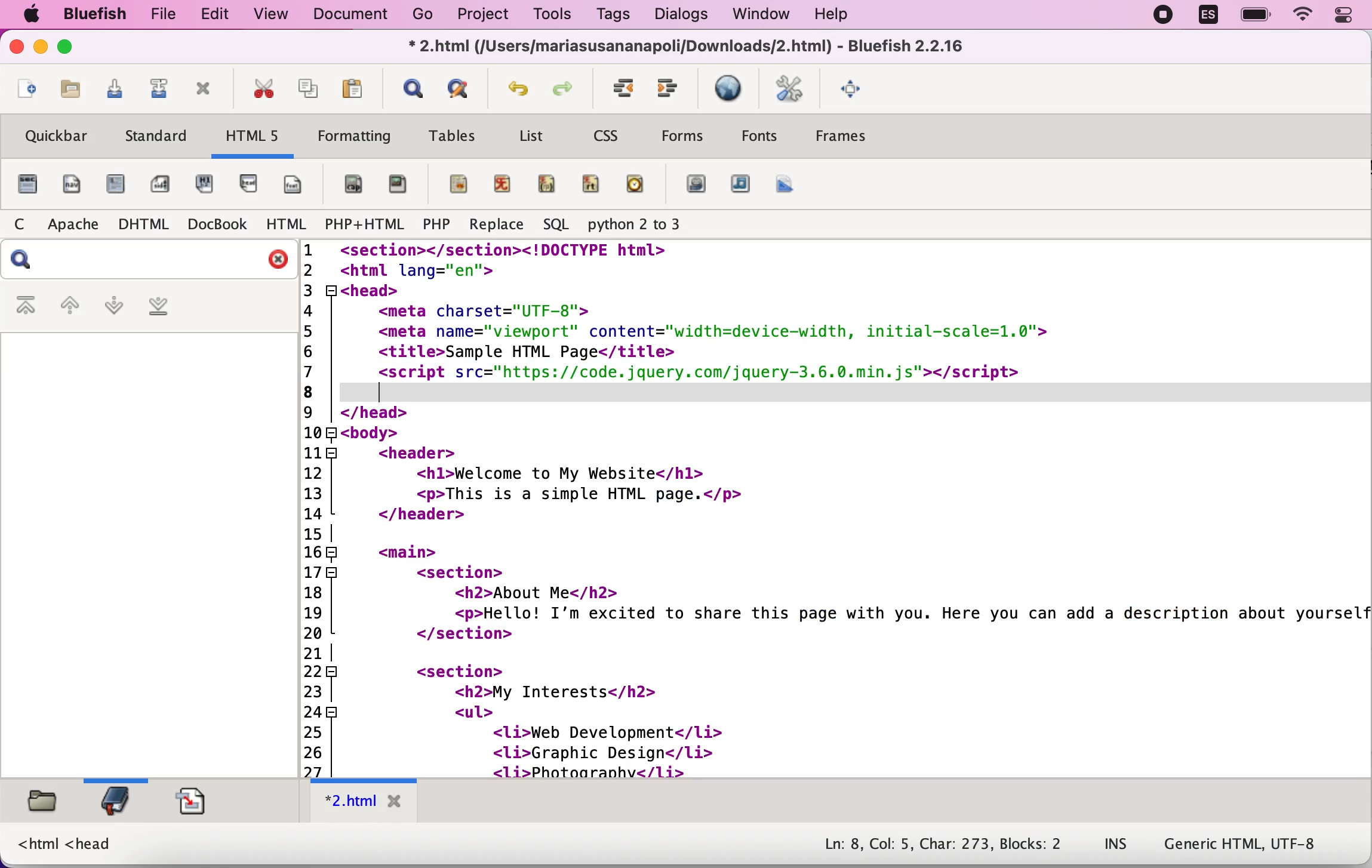 The height and width of the screenshot is (868, 1372). I want to click on ruby text, so click(593, 183).